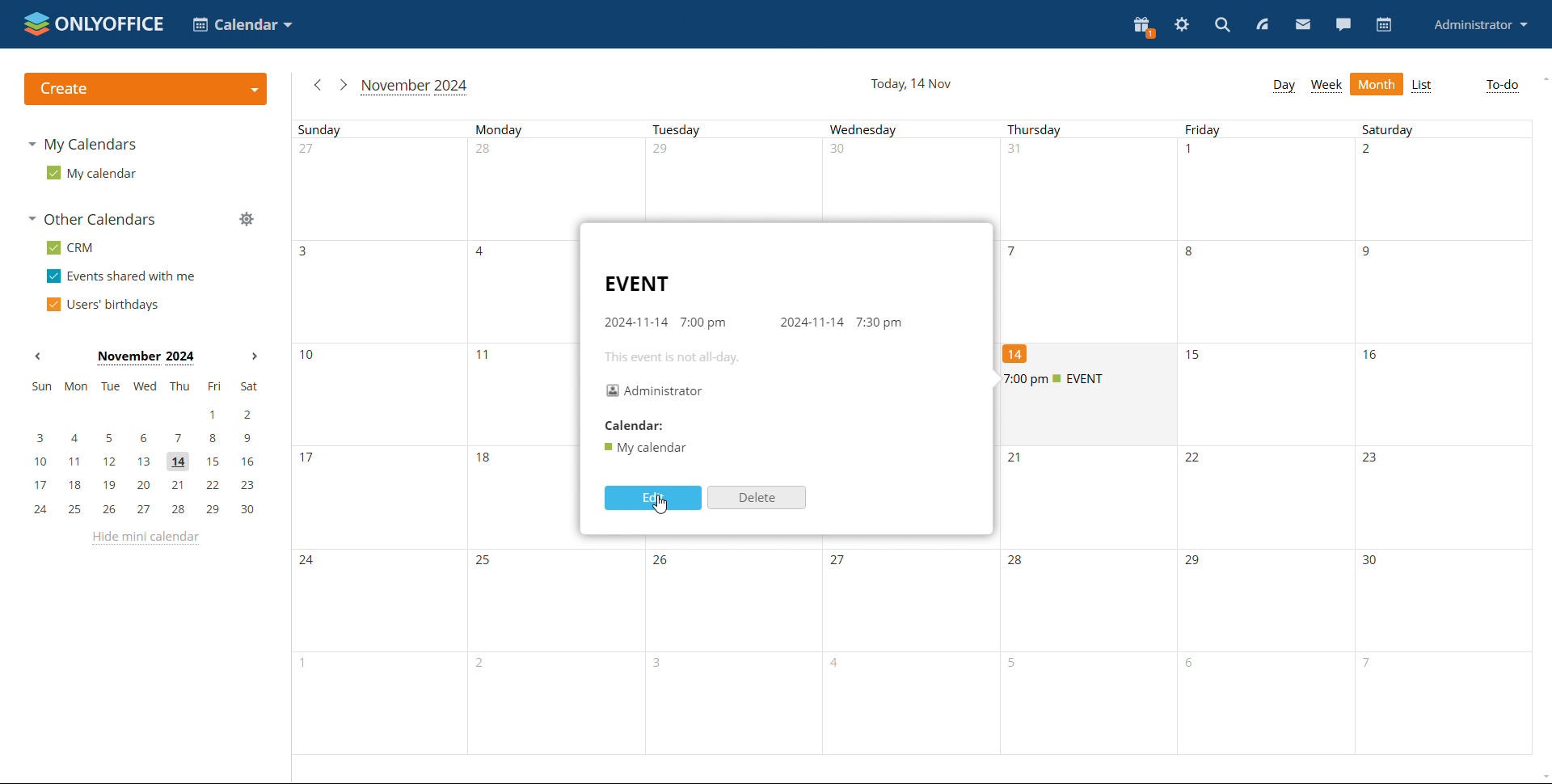  What do you see at coordinates (1377, 83) in the screenshot?
I see `month view` at bounding box center [1377, 83].